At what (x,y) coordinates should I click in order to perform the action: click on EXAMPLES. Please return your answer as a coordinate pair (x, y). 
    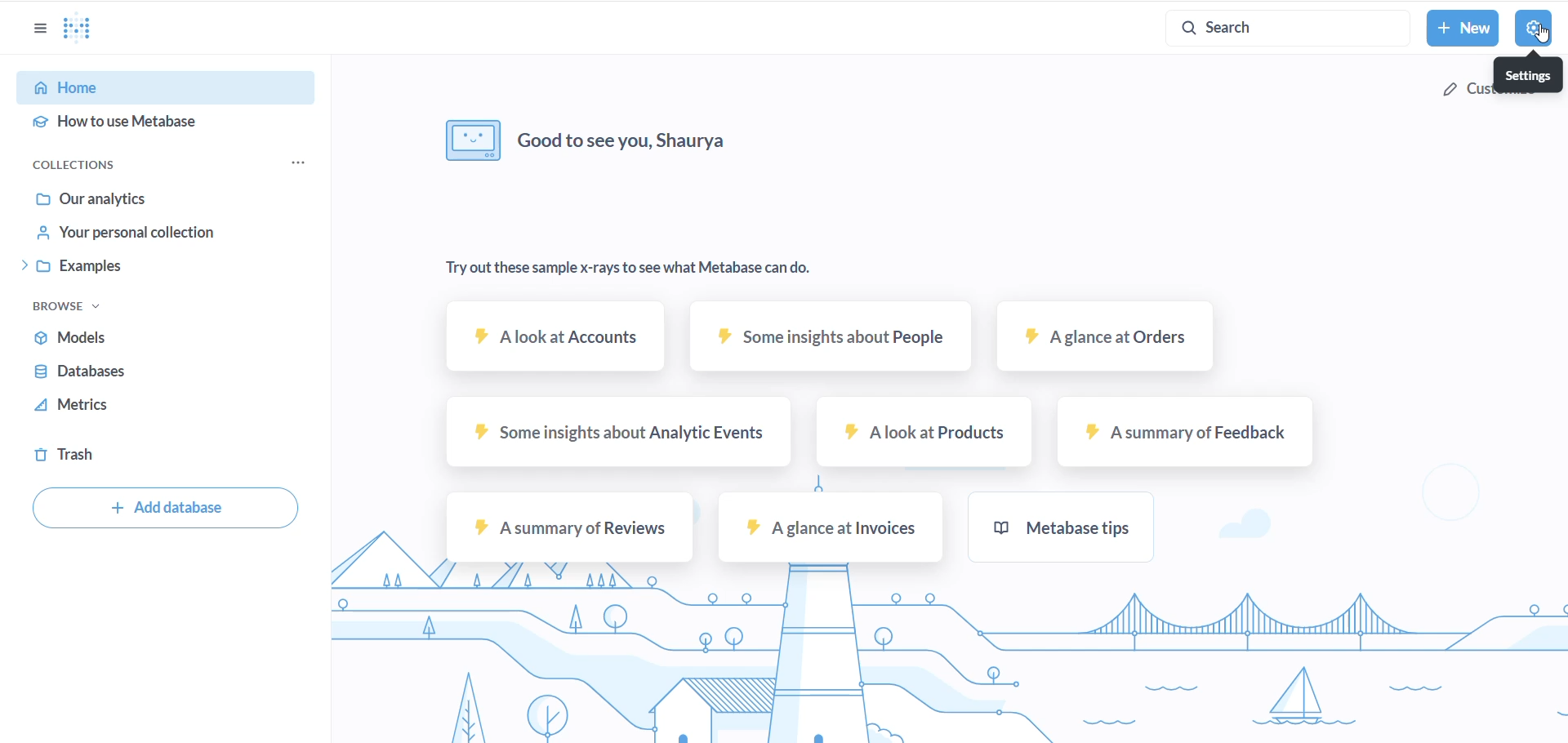
    Looking at the image, I should click on (133, 266).